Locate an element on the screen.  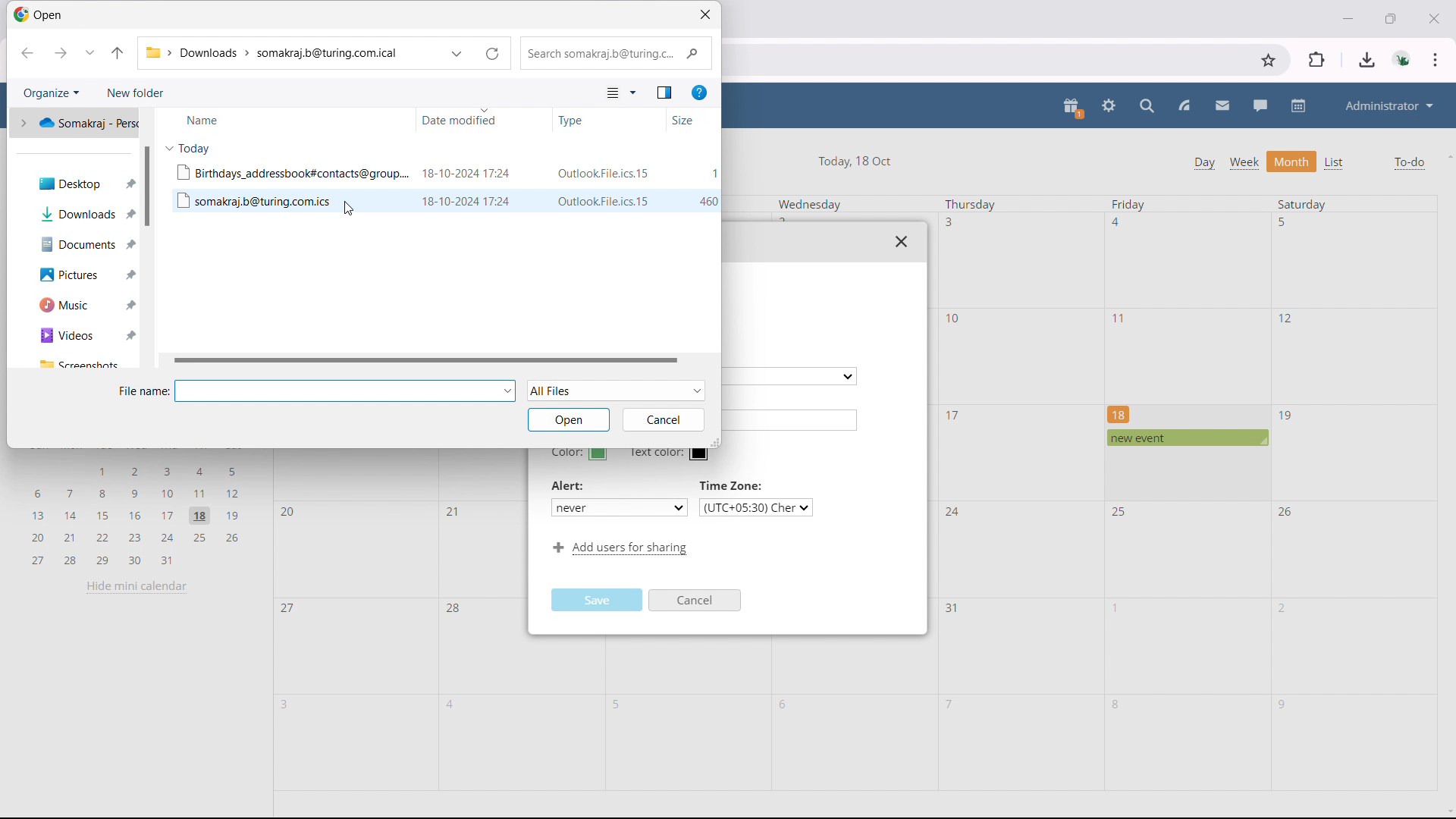
close is located at coordinates (902, 241).